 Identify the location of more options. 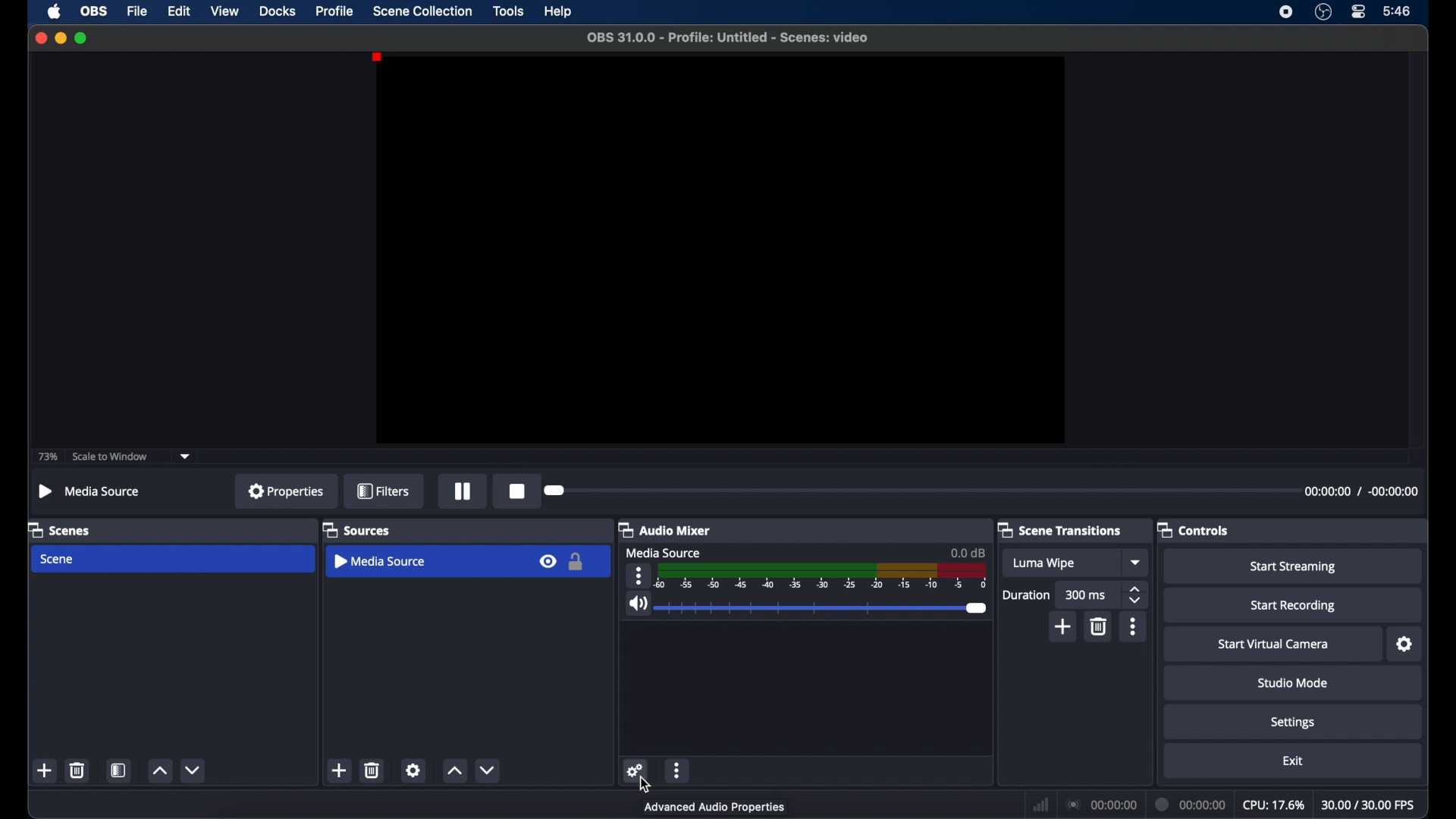
(677, 770).